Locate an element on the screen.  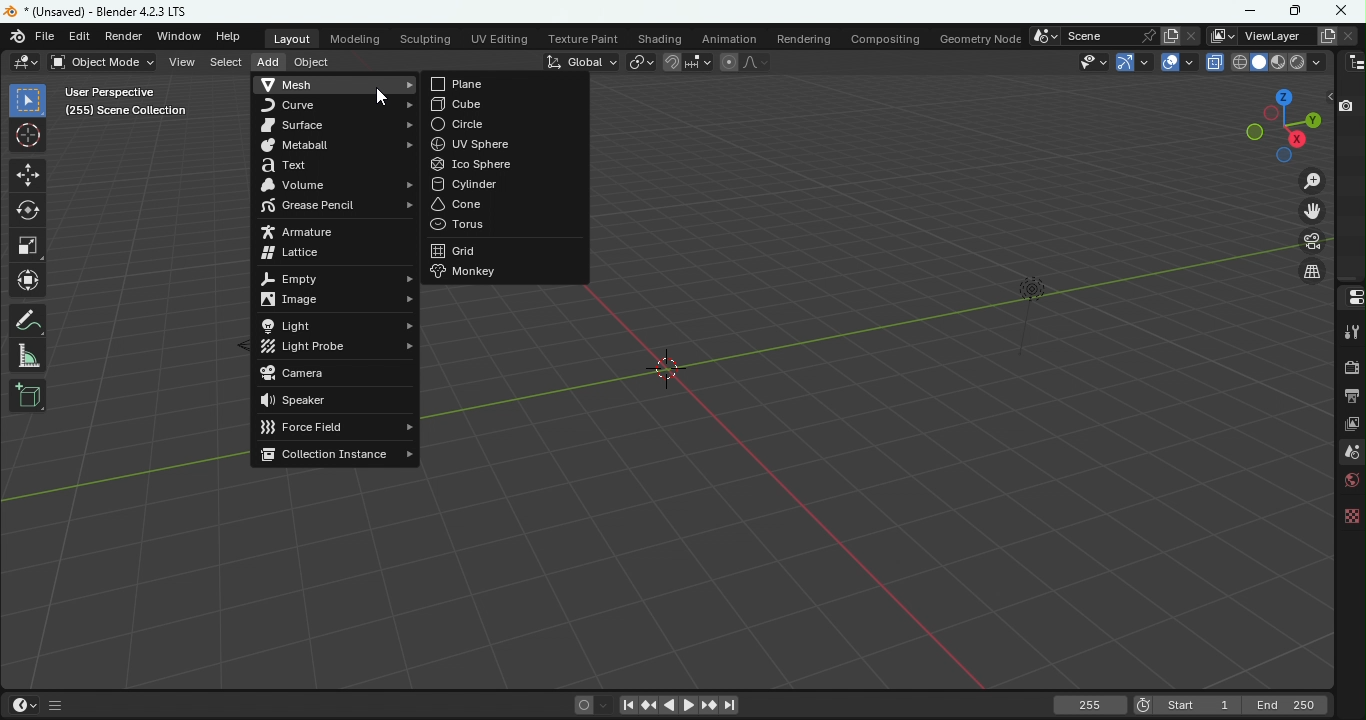
Rotate the scene is located at coordinates (1284, 156).